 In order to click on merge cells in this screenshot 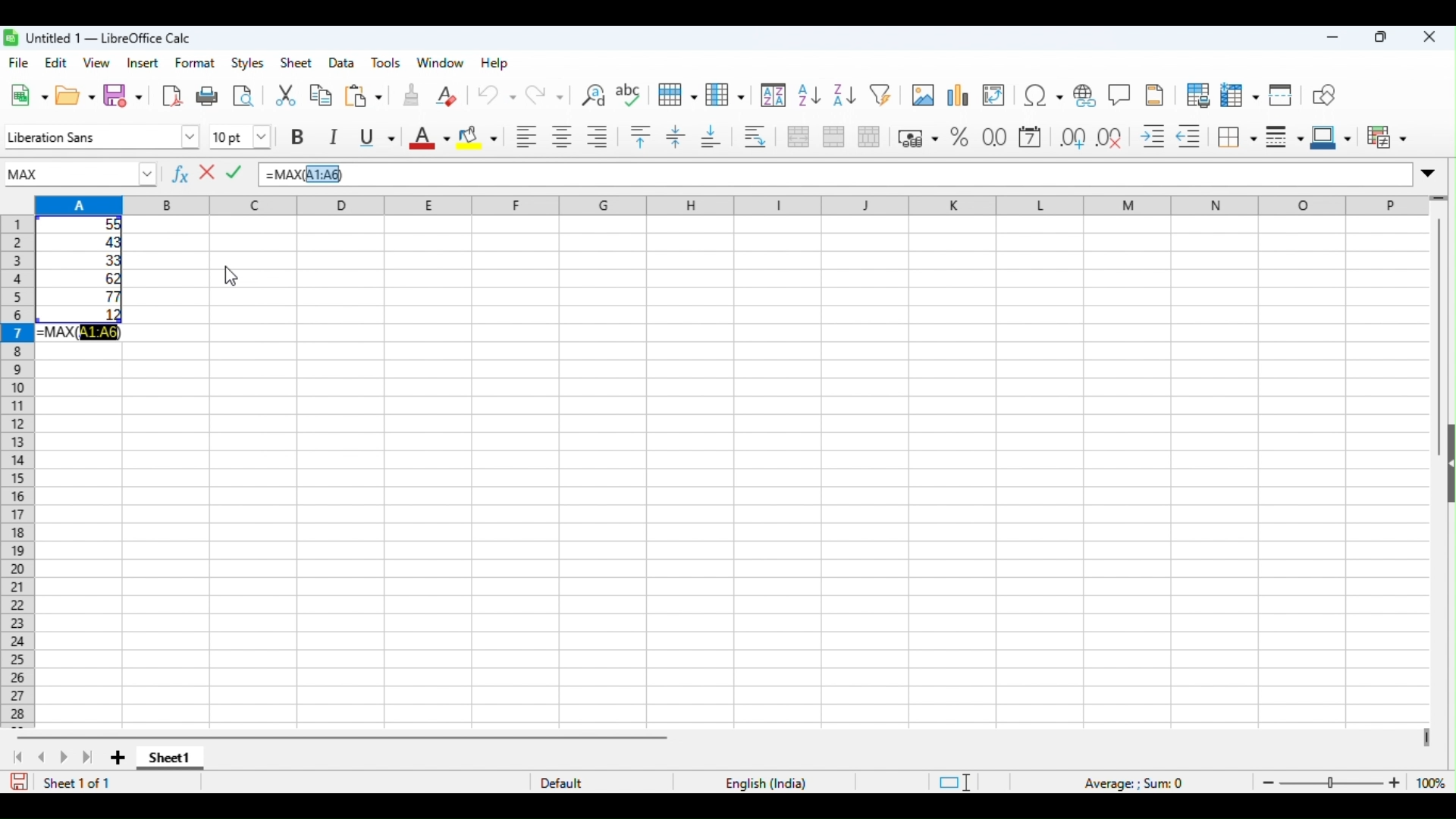, I will do `click(833, 137)`.